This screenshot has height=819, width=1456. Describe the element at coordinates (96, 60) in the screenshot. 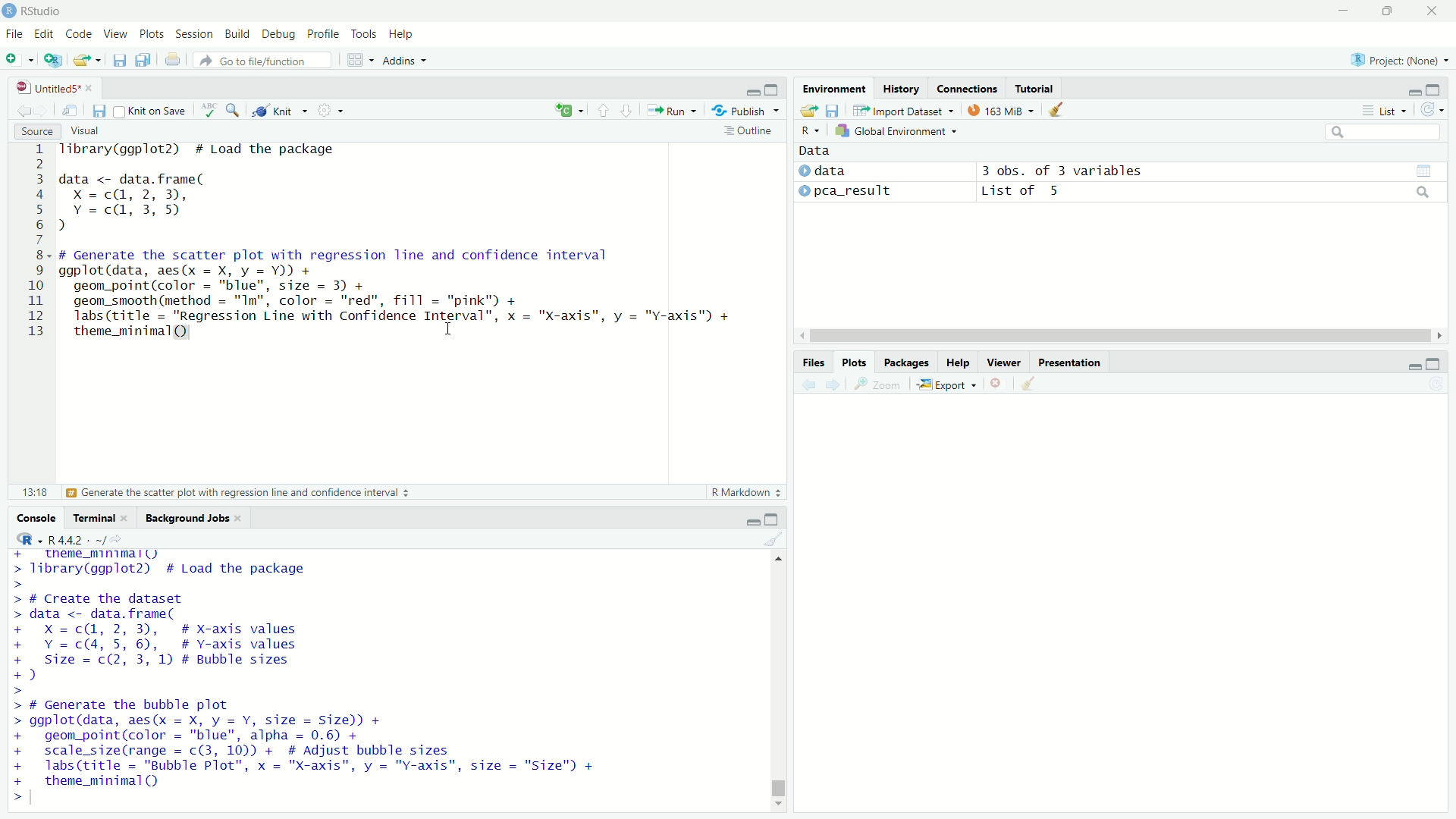

I see `Open recent files` at that location.